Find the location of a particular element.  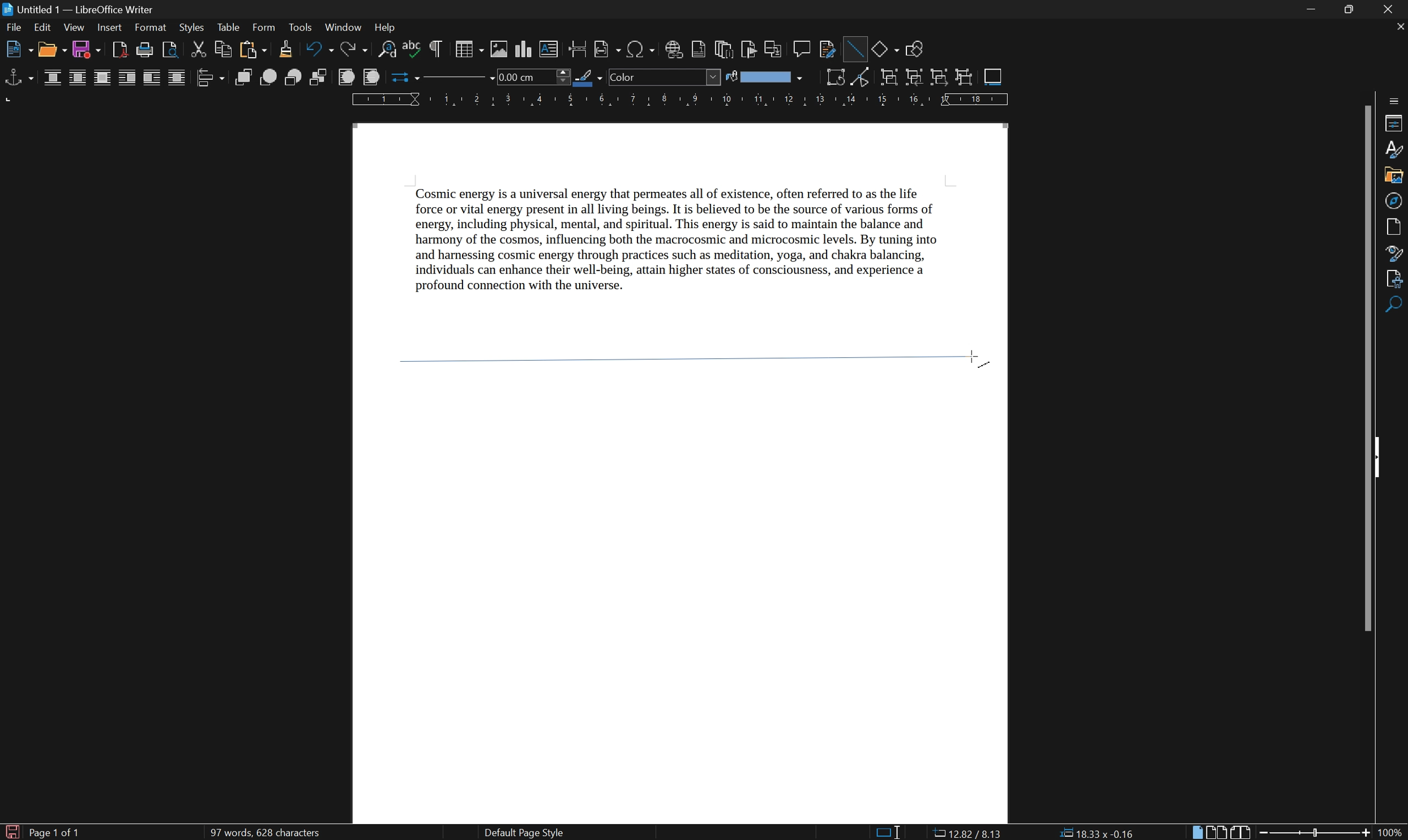

scroll bar is located at coordinates (1370, 366).